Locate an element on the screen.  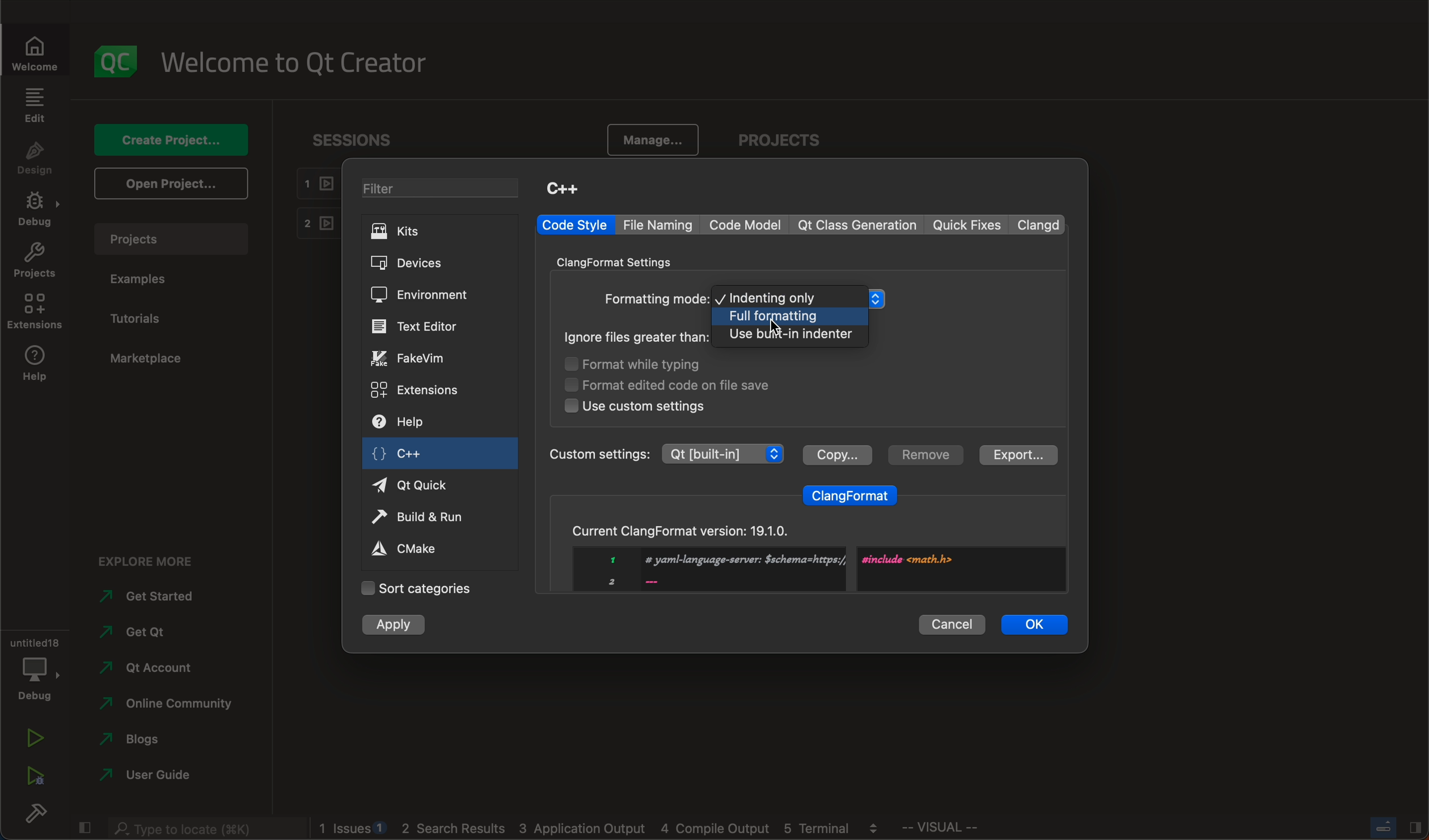
style is located at coordinates (574, 225).